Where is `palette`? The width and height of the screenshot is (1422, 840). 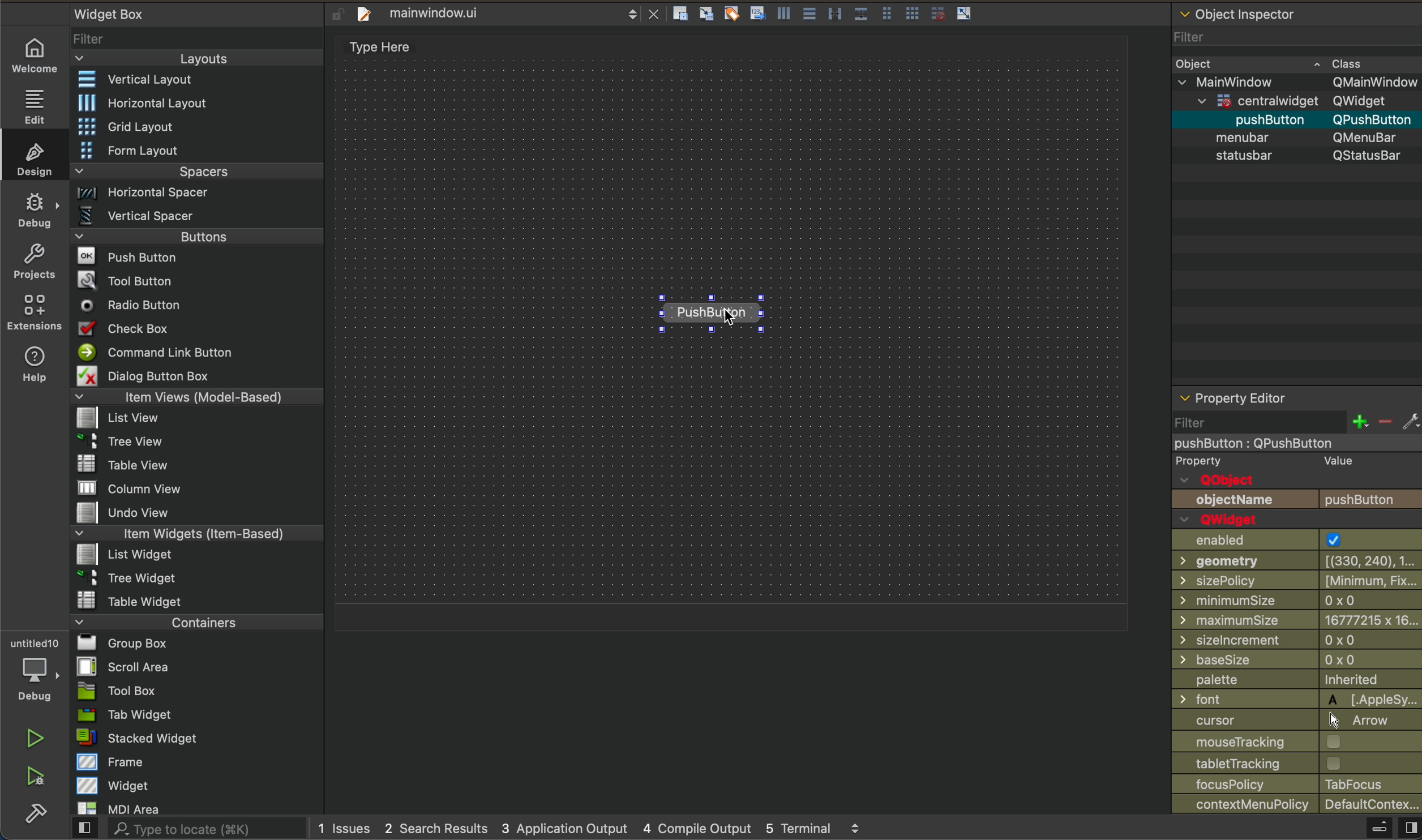 palette is located at coordinates (1296, 679).